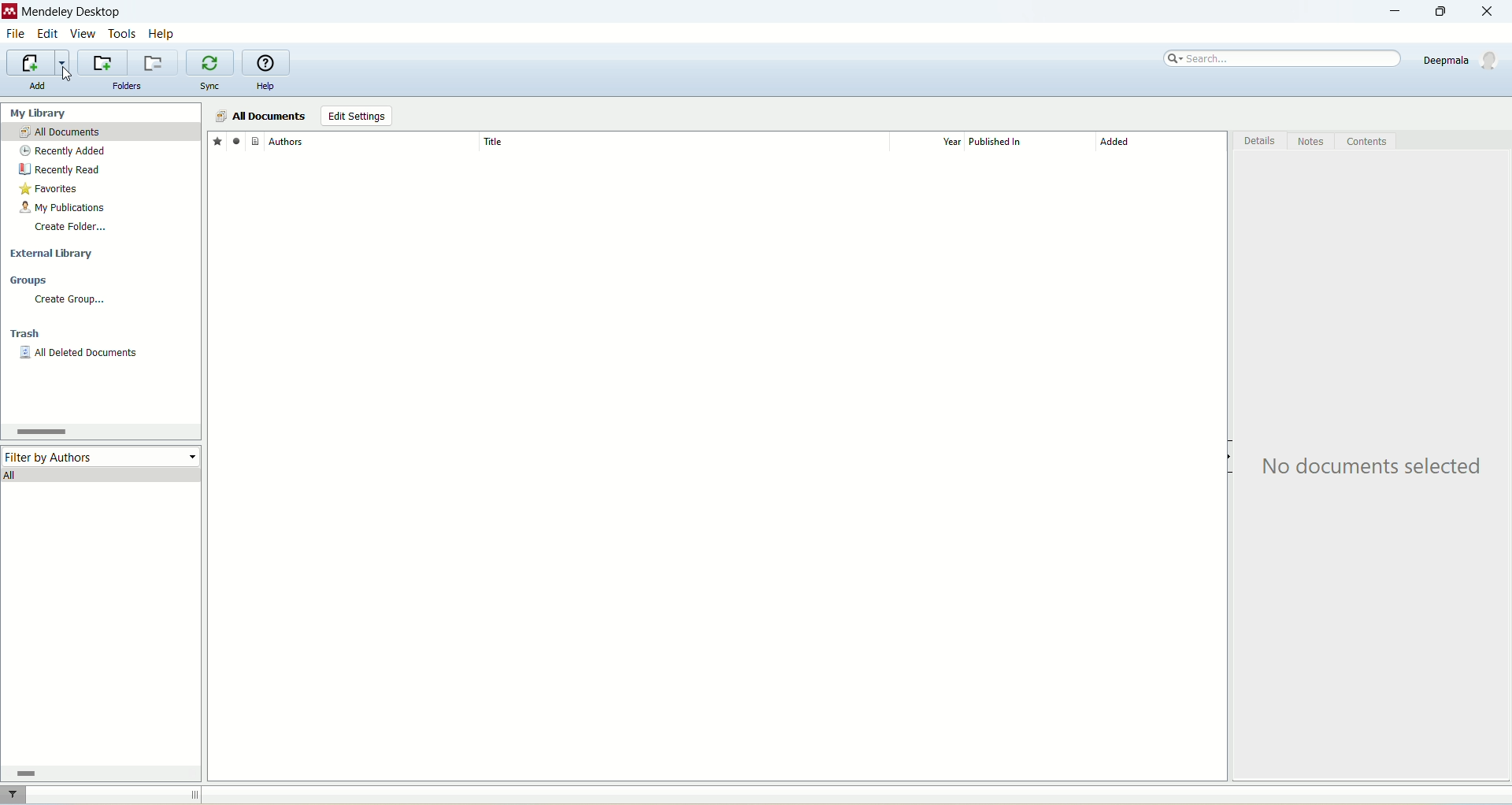 This screenshot has height=805, width=1512. What do you see at coordinates (30, 281) in the screenshot?
I see `groups` at bounding box center [30, 281].